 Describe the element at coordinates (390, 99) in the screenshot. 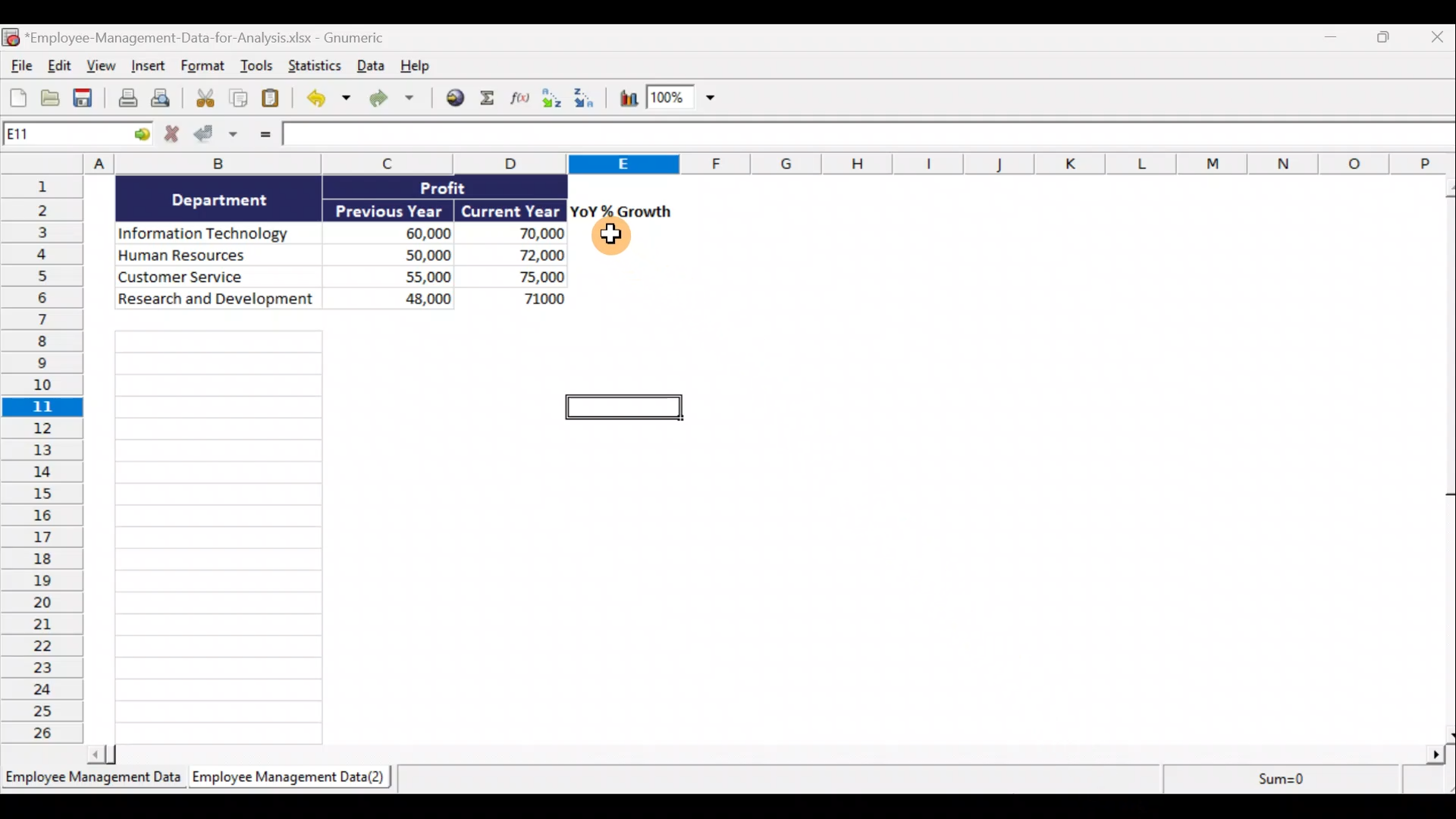

I see `Redo undone action` at that location.